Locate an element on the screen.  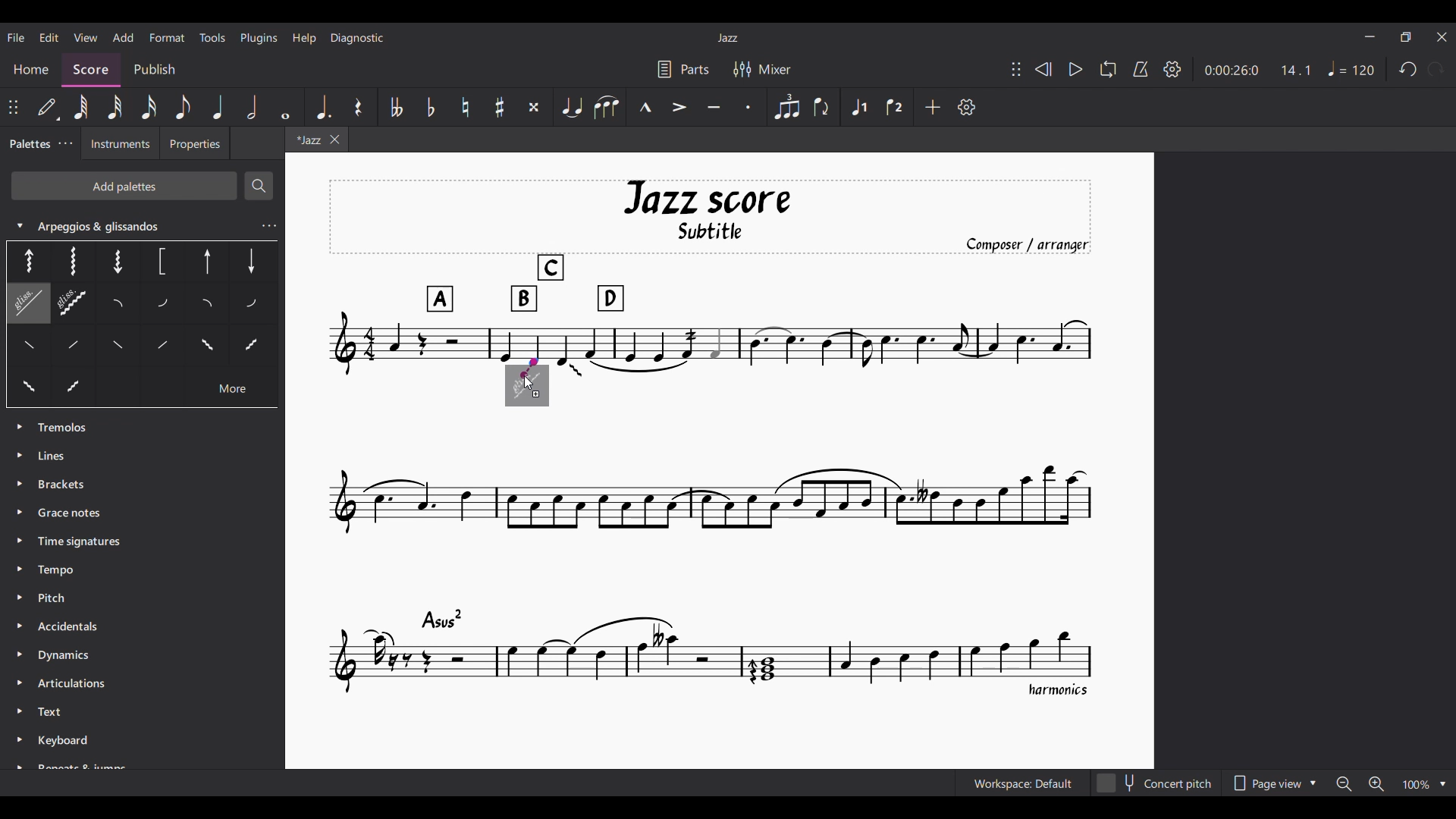
Rest is located at coordinates (359, 107).